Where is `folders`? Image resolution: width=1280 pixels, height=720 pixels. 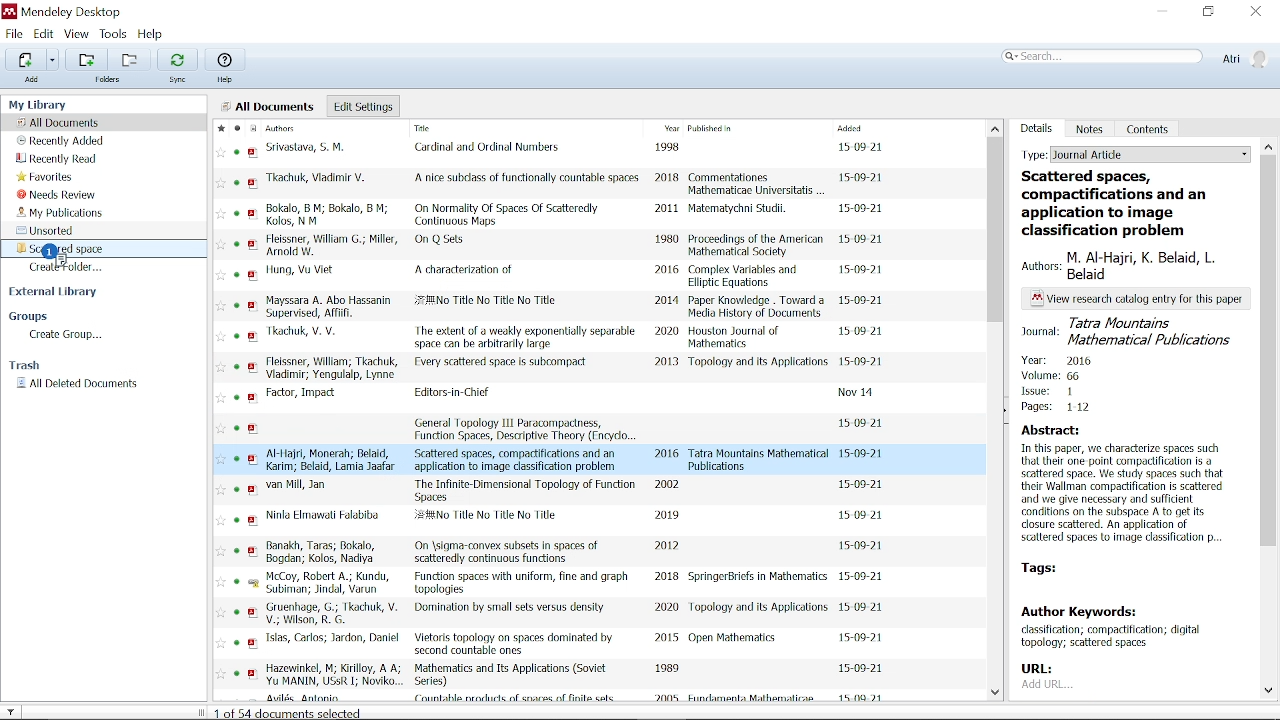 folders is located at coordinates (112, 81).